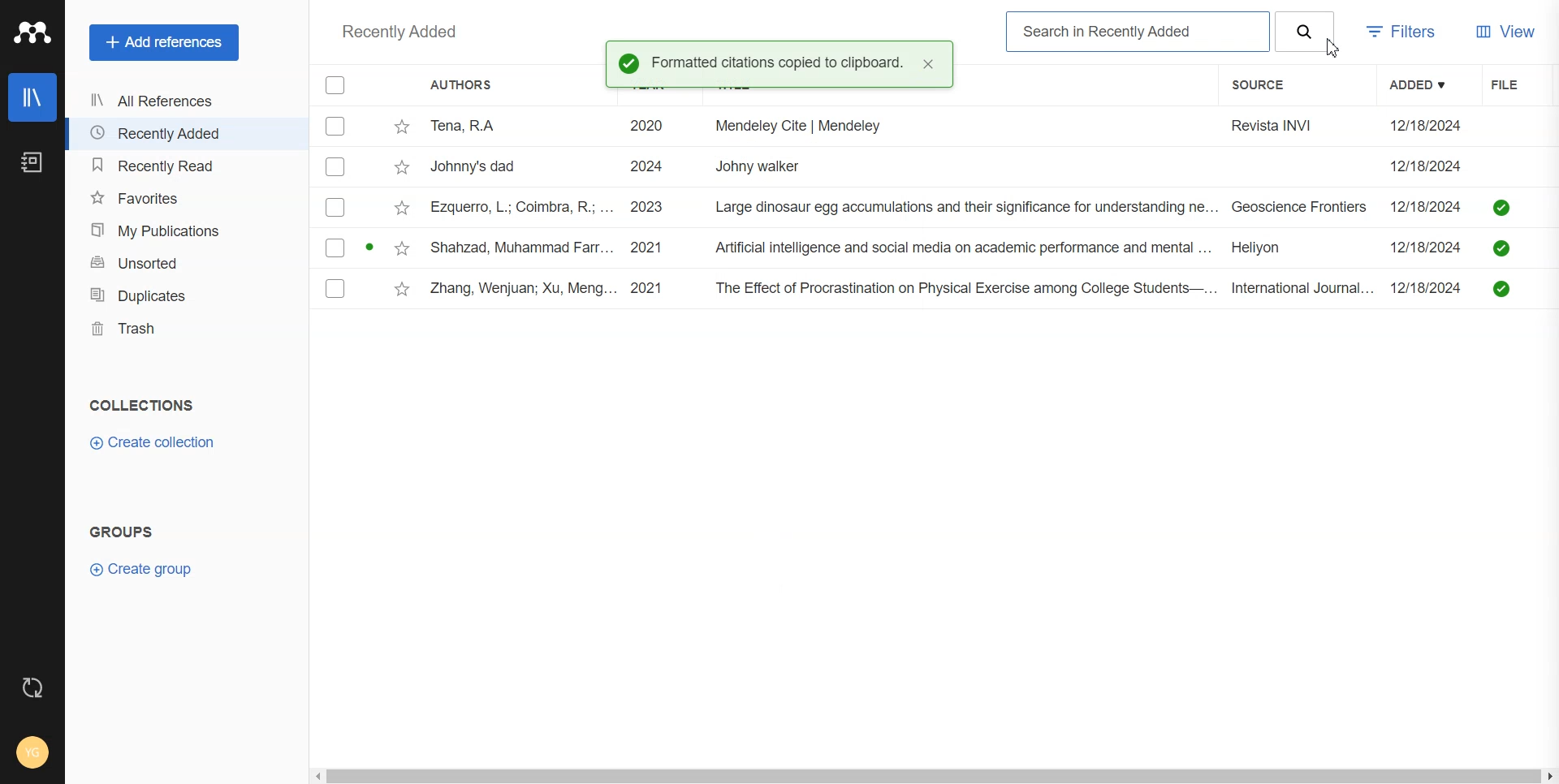  Describe the element at coordinates (401, 247) in the screenshot. I see `Star` at that location.